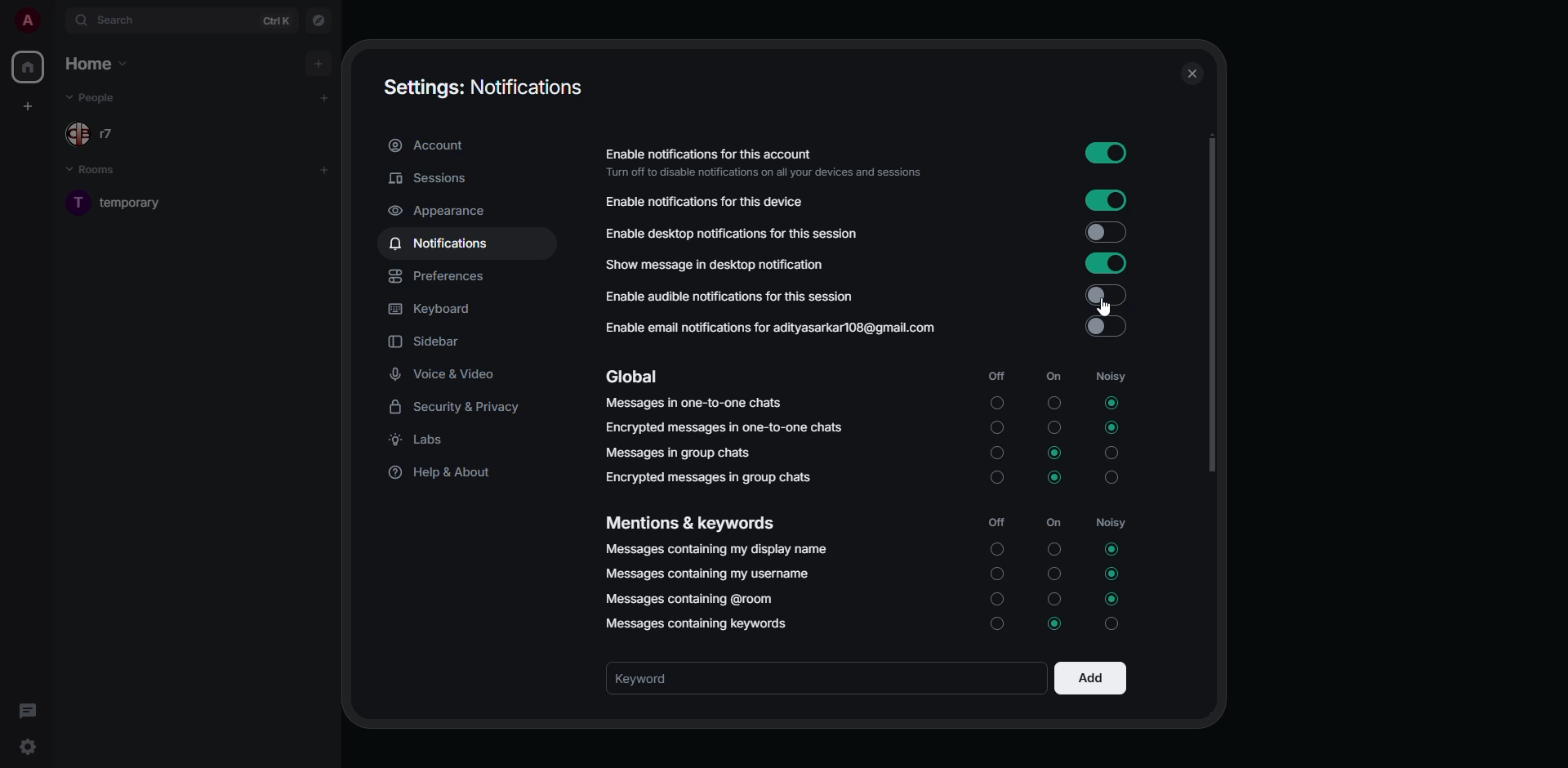  I want to click on Noisy Unselected, so click(1111, 623).